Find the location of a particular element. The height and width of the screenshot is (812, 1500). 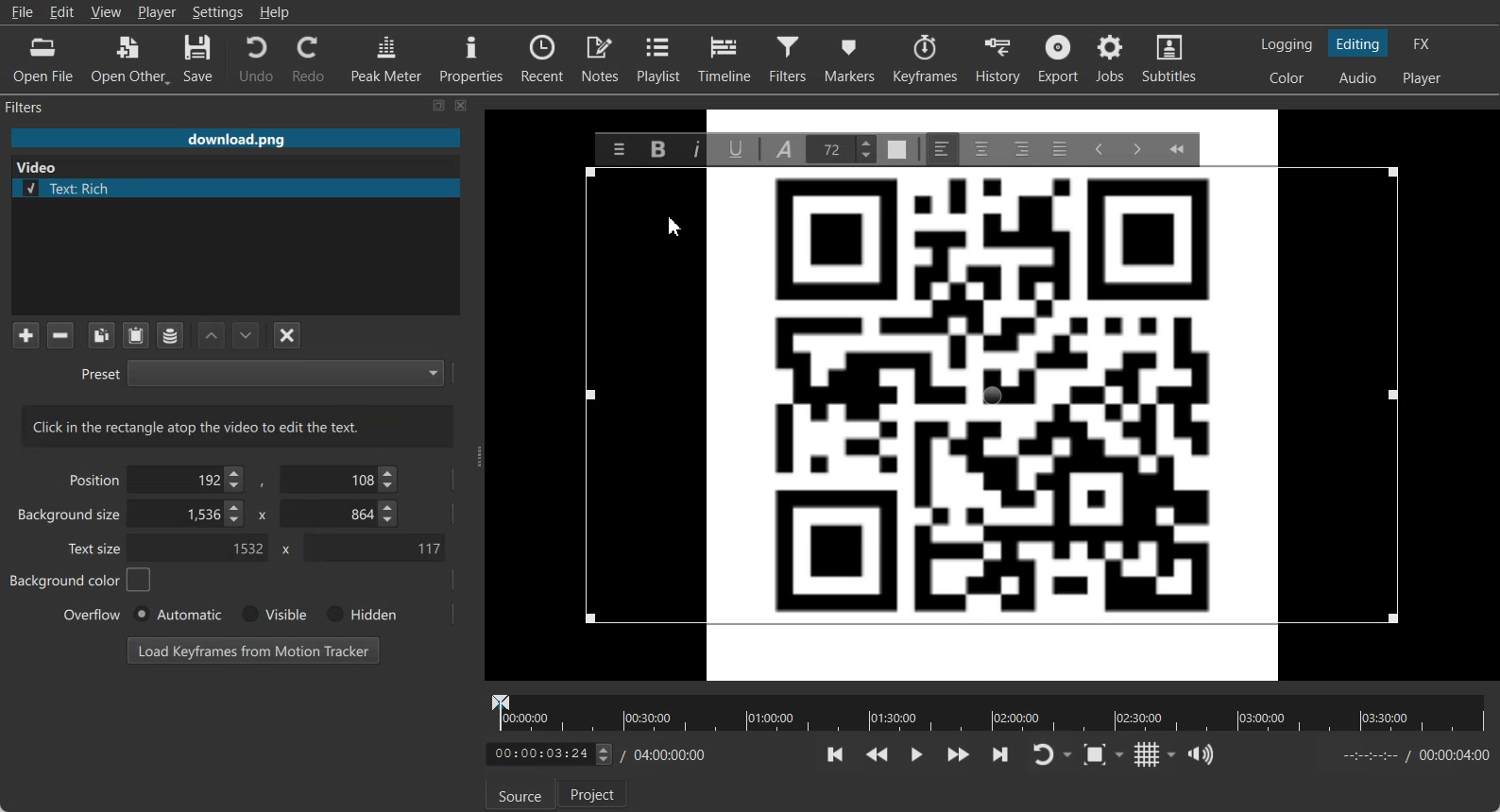

Properties is located at coordinates (471, 57).